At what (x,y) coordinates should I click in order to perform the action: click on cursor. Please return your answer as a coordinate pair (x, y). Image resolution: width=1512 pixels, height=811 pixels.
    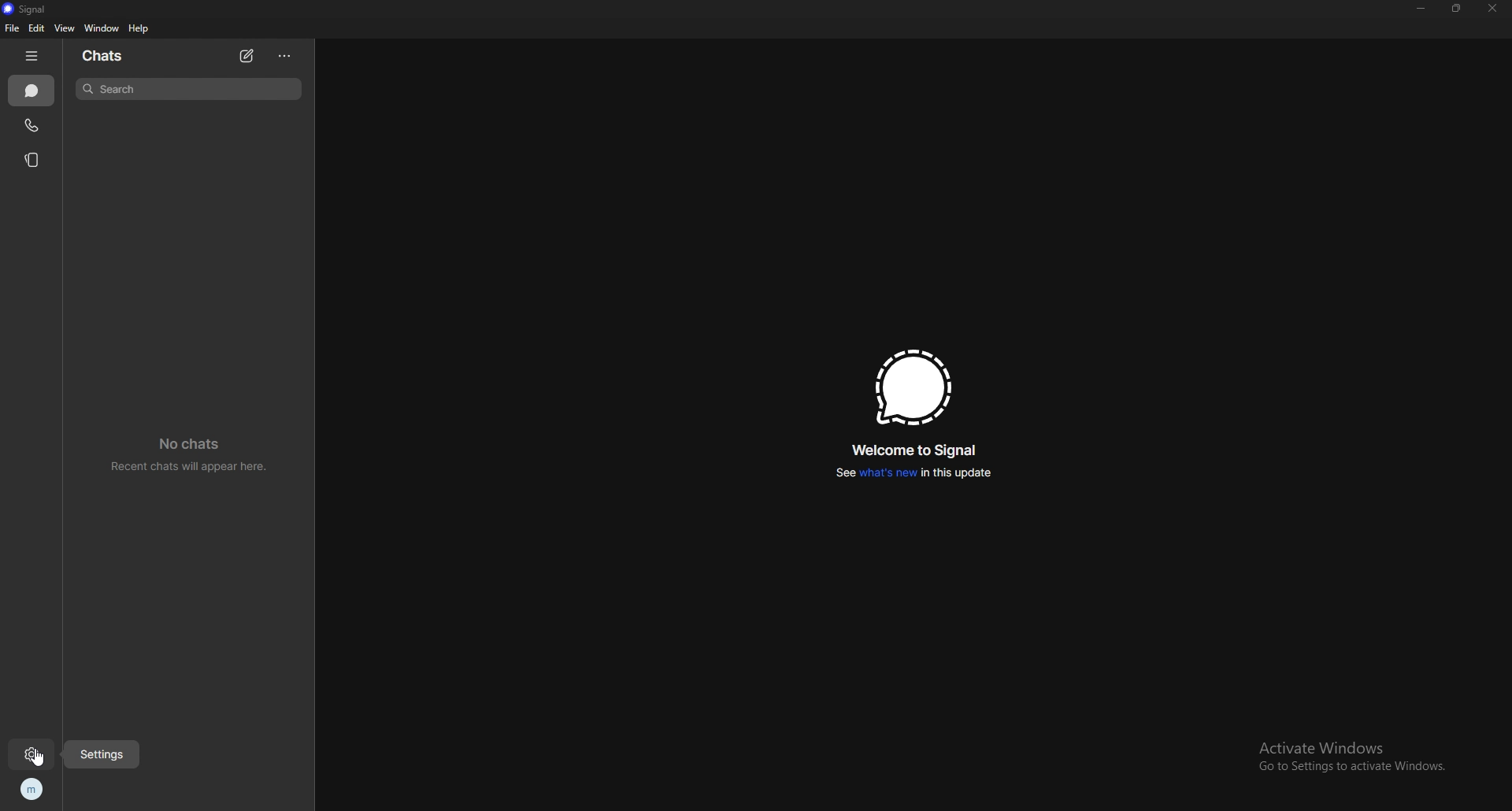
    Looking at the image, I should click on (39, 758).